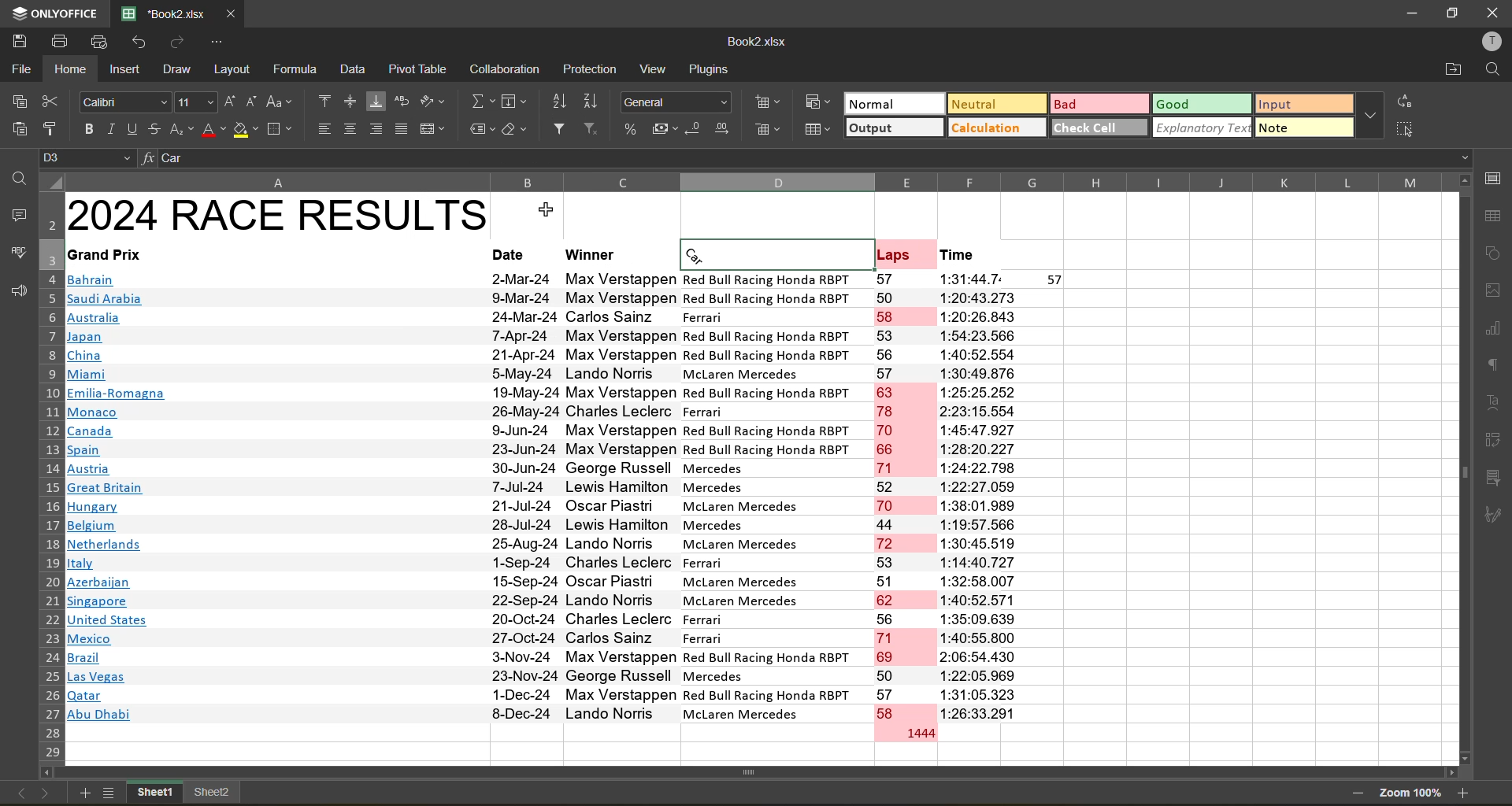 This screenshot has height=806, width=1512. I want to click on data, so click(356, 70).